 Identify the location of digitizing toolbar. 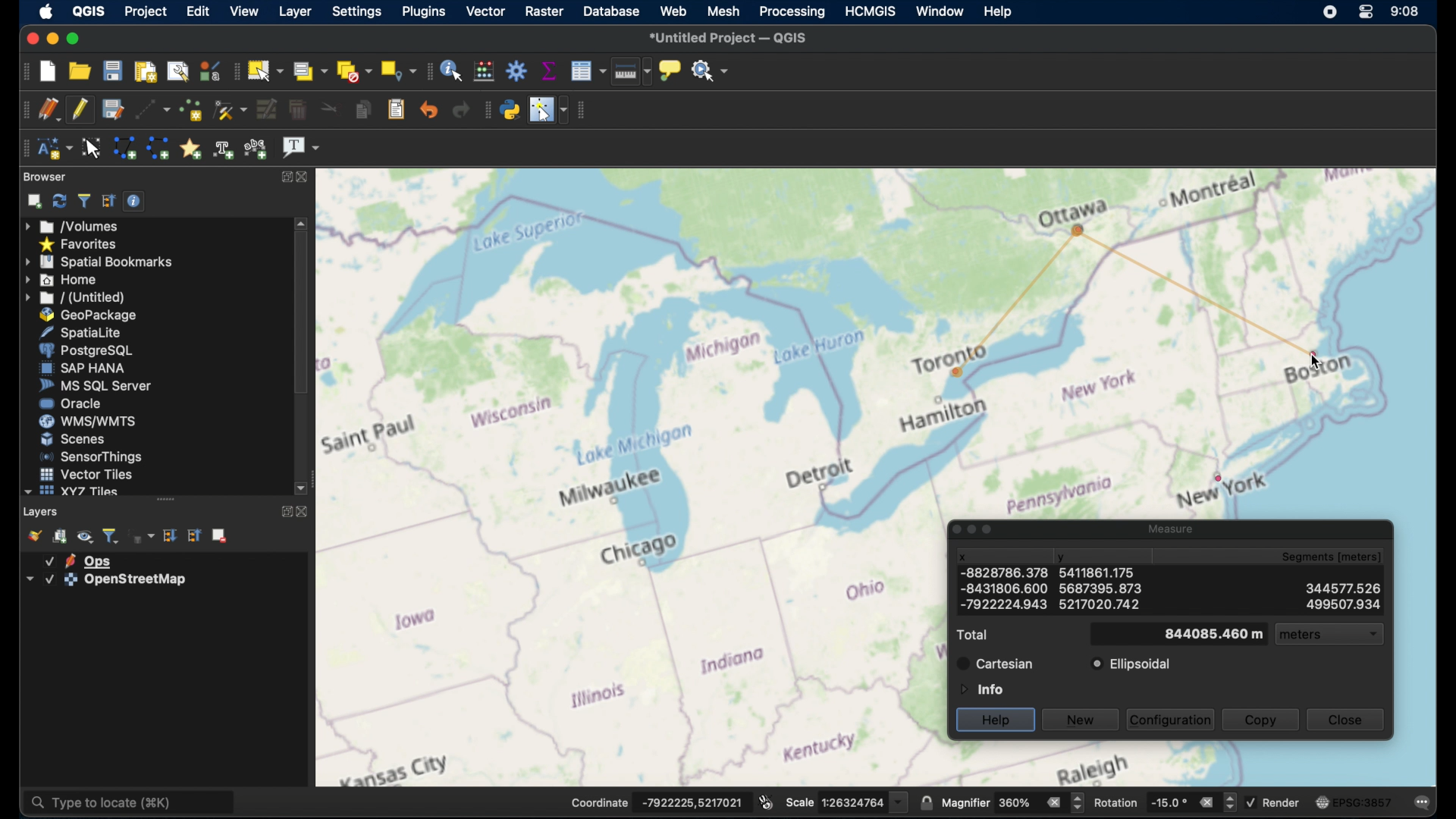
(22, 110).